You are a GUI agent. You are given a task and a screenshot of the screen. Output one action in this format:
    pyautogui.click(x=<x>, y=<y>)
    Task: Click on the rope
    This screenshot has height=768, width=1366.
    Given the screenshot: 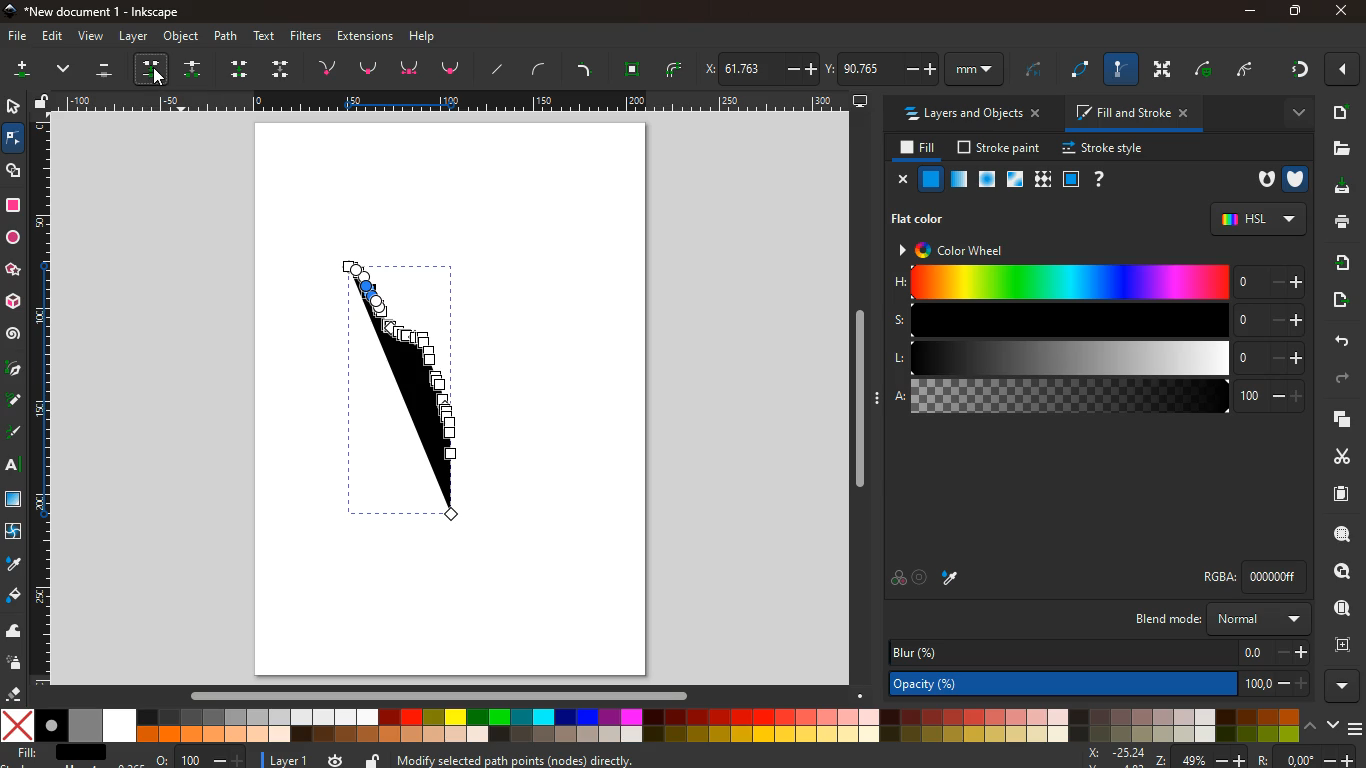 What is the action you would take?
    pyautogui.click(x=1083, y=70)
    